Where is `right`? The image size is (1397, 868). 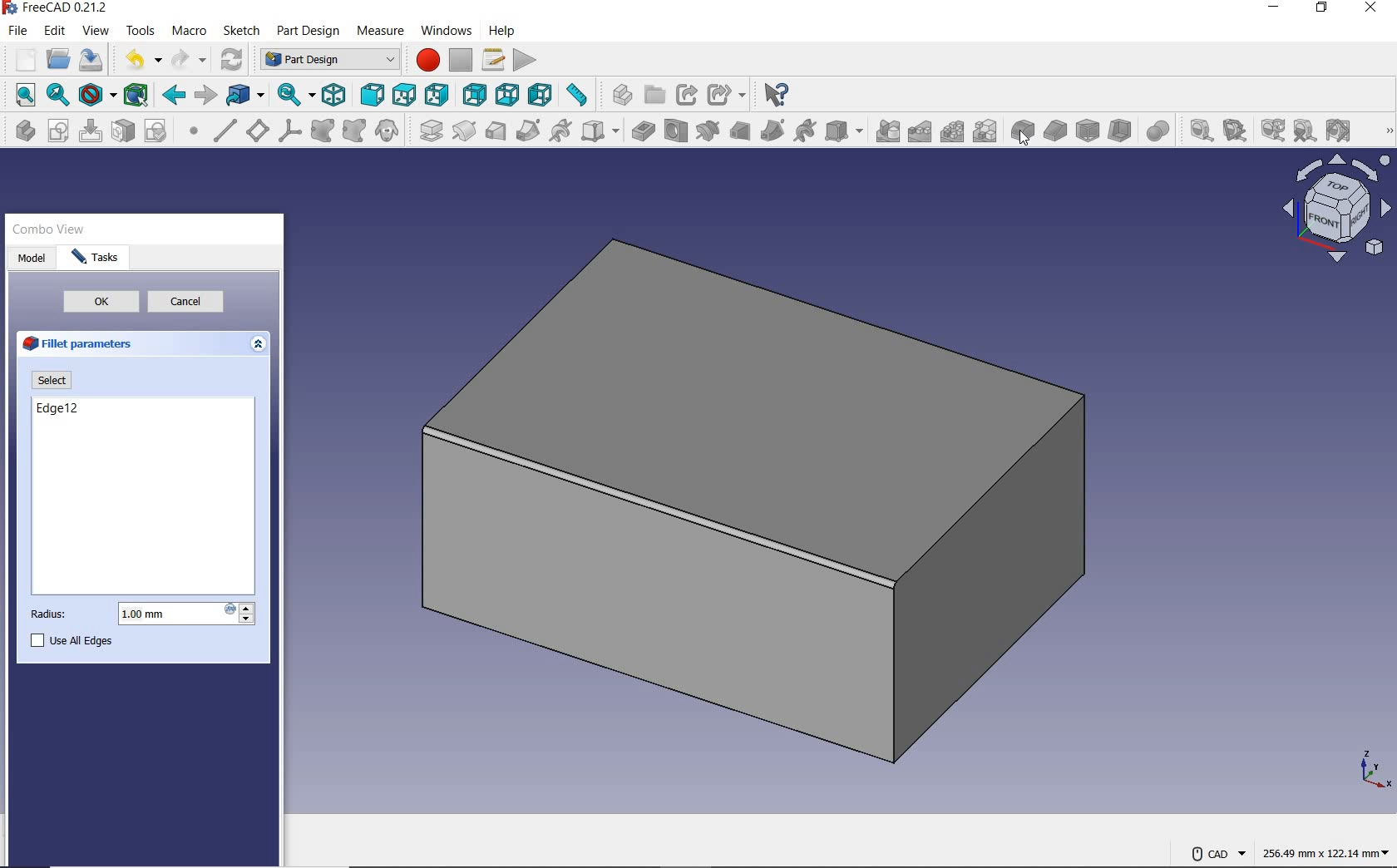 right is located at coordinates (438, 94).